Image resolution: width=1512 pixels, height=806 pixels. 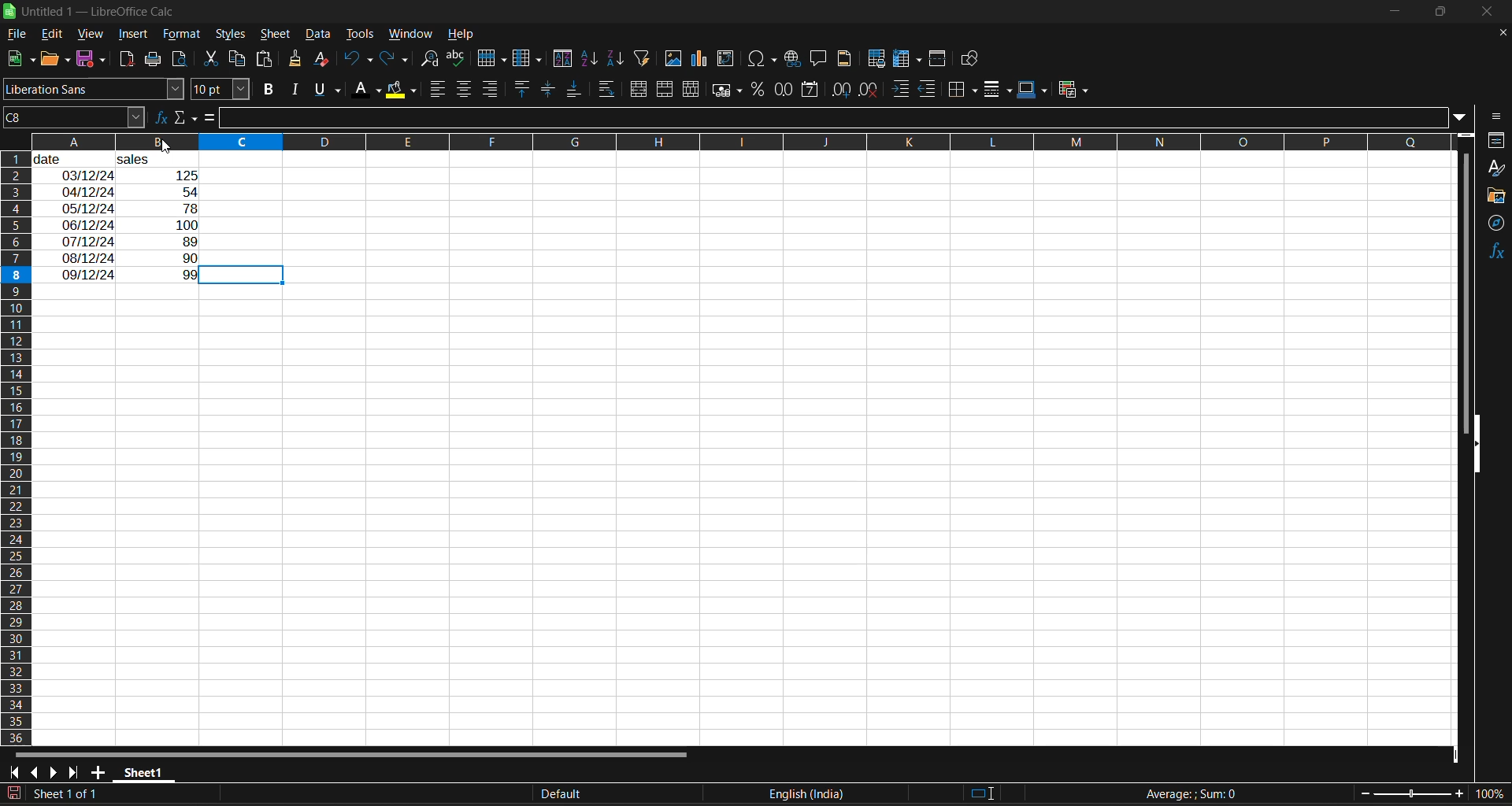 I want to click on align left, so click(x=438, y=90).